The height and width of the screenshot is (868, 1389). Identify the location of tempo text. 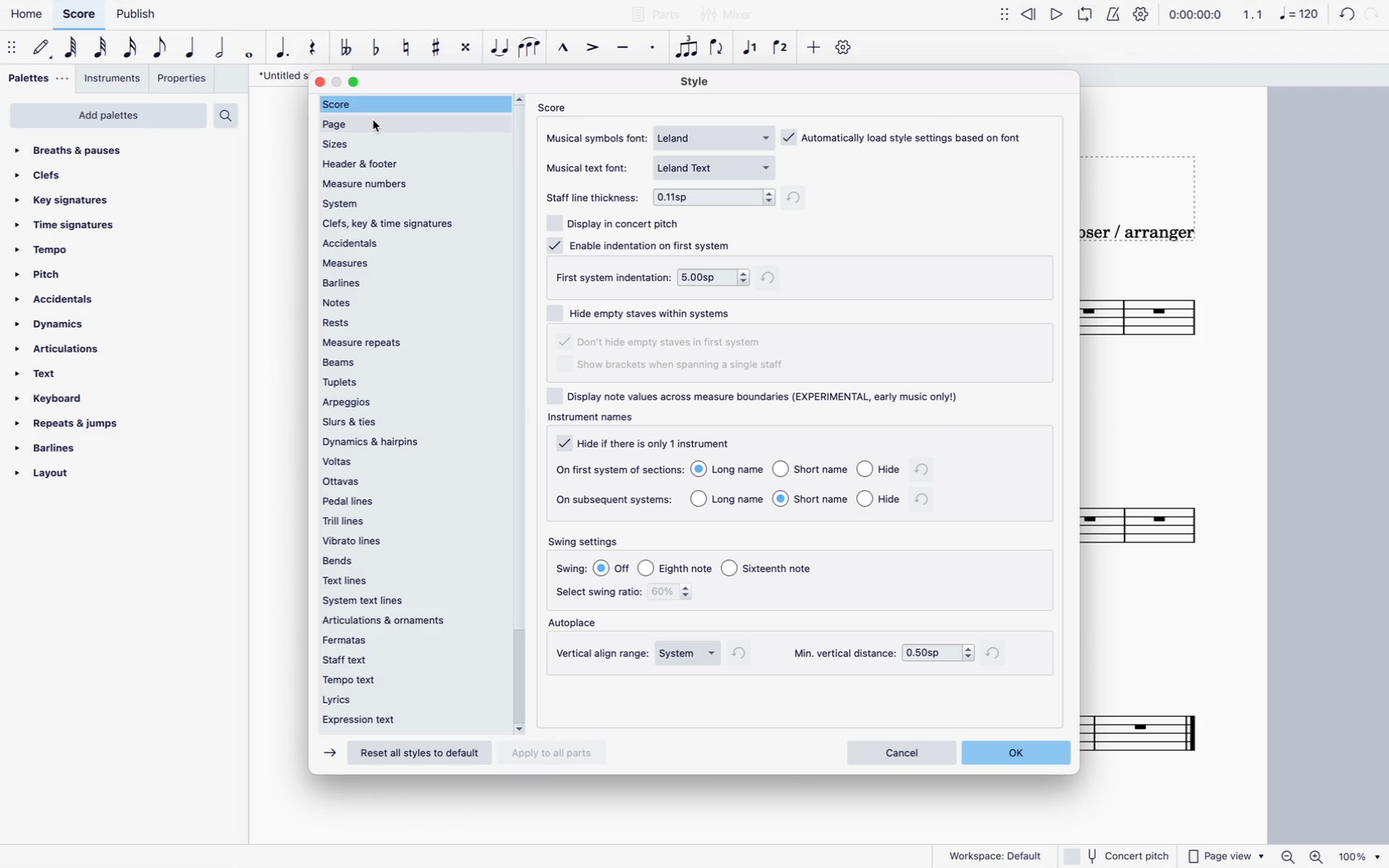
(400, 678).